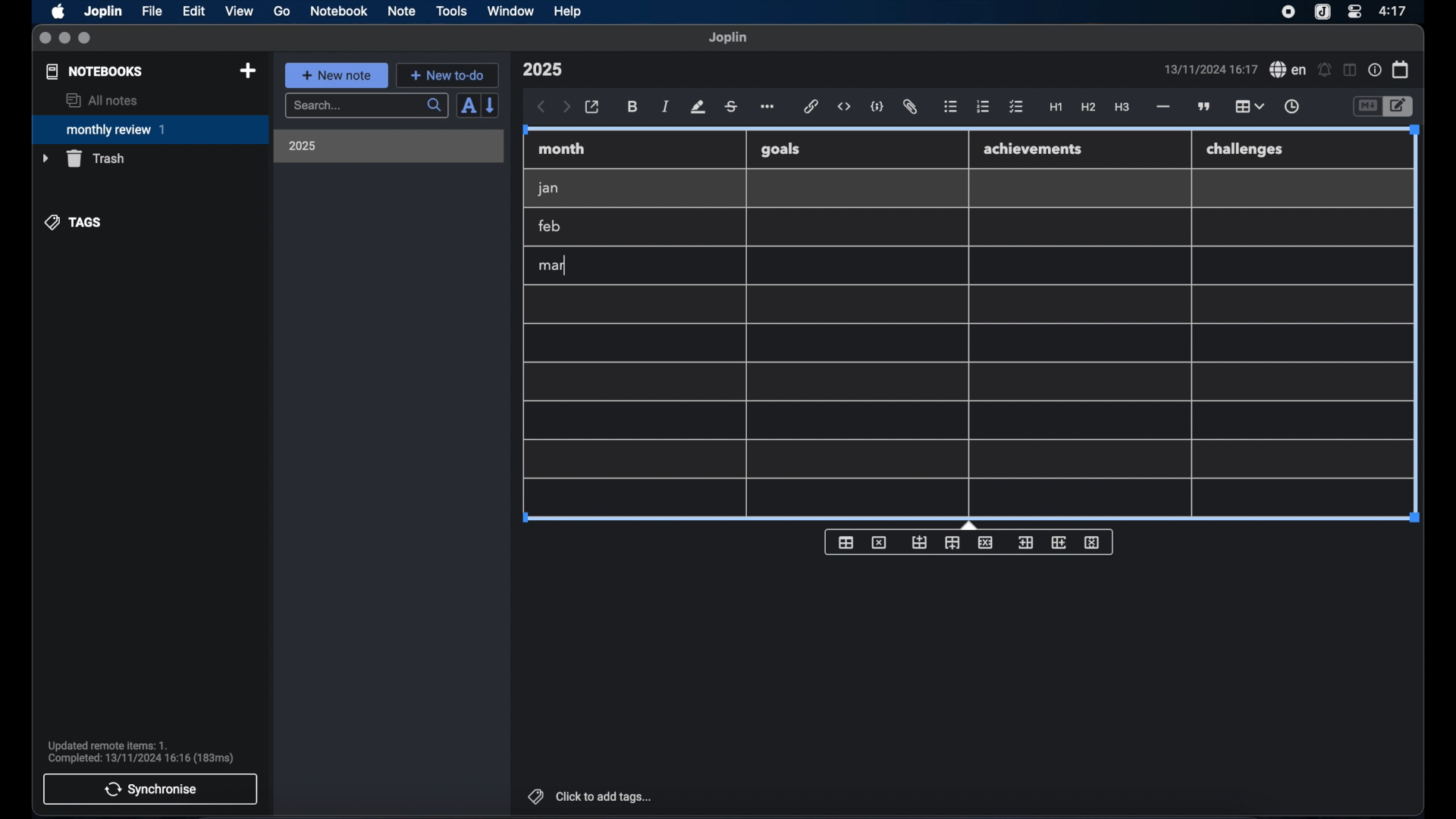  What do you see at coordinates (95, 71) in the screenshot?
I see `notebooks` at bounding box center [95, 71].